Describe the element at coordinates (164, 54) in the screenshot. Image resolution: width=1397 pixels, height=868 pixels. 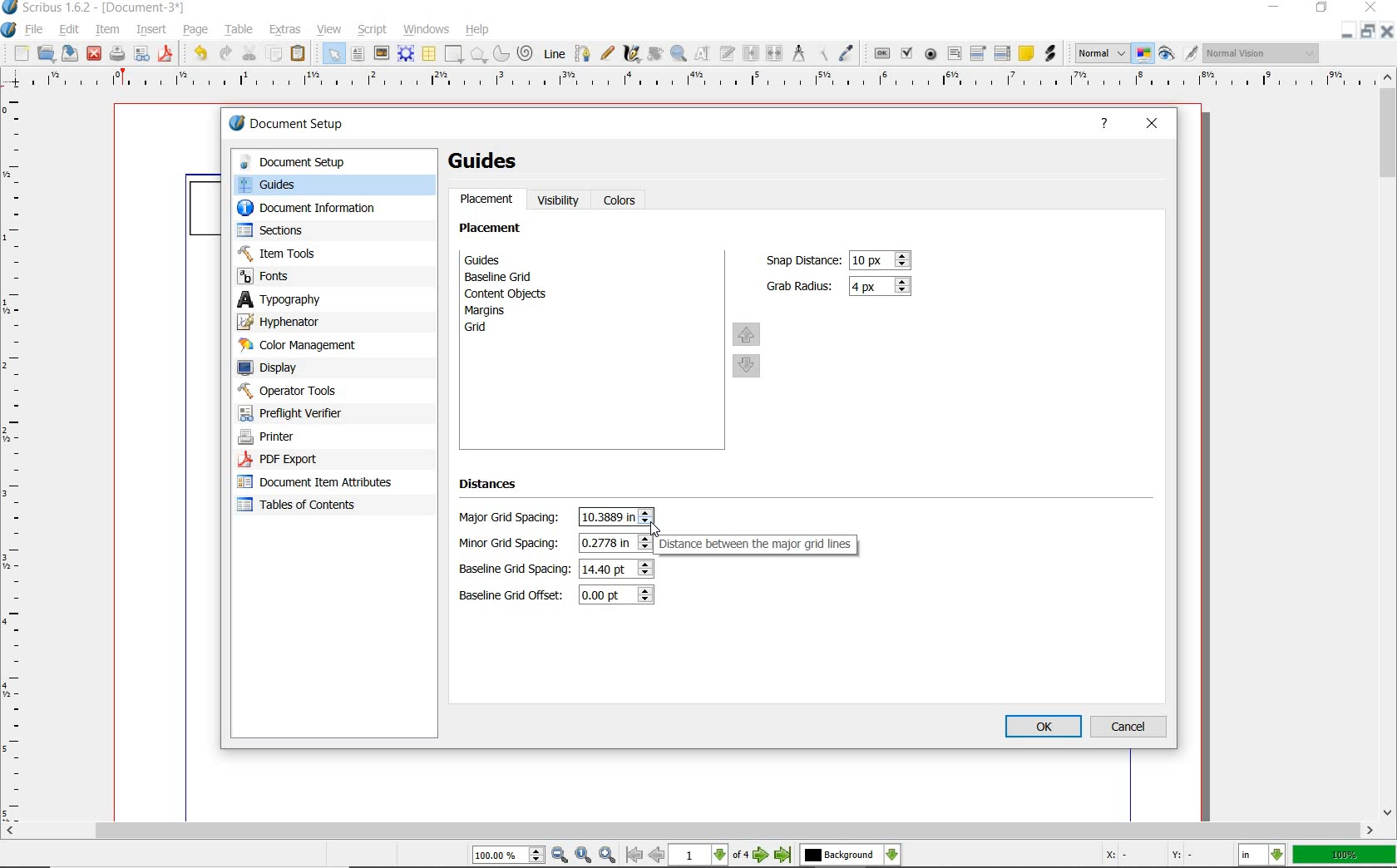
I see `save as pdf` at that location.